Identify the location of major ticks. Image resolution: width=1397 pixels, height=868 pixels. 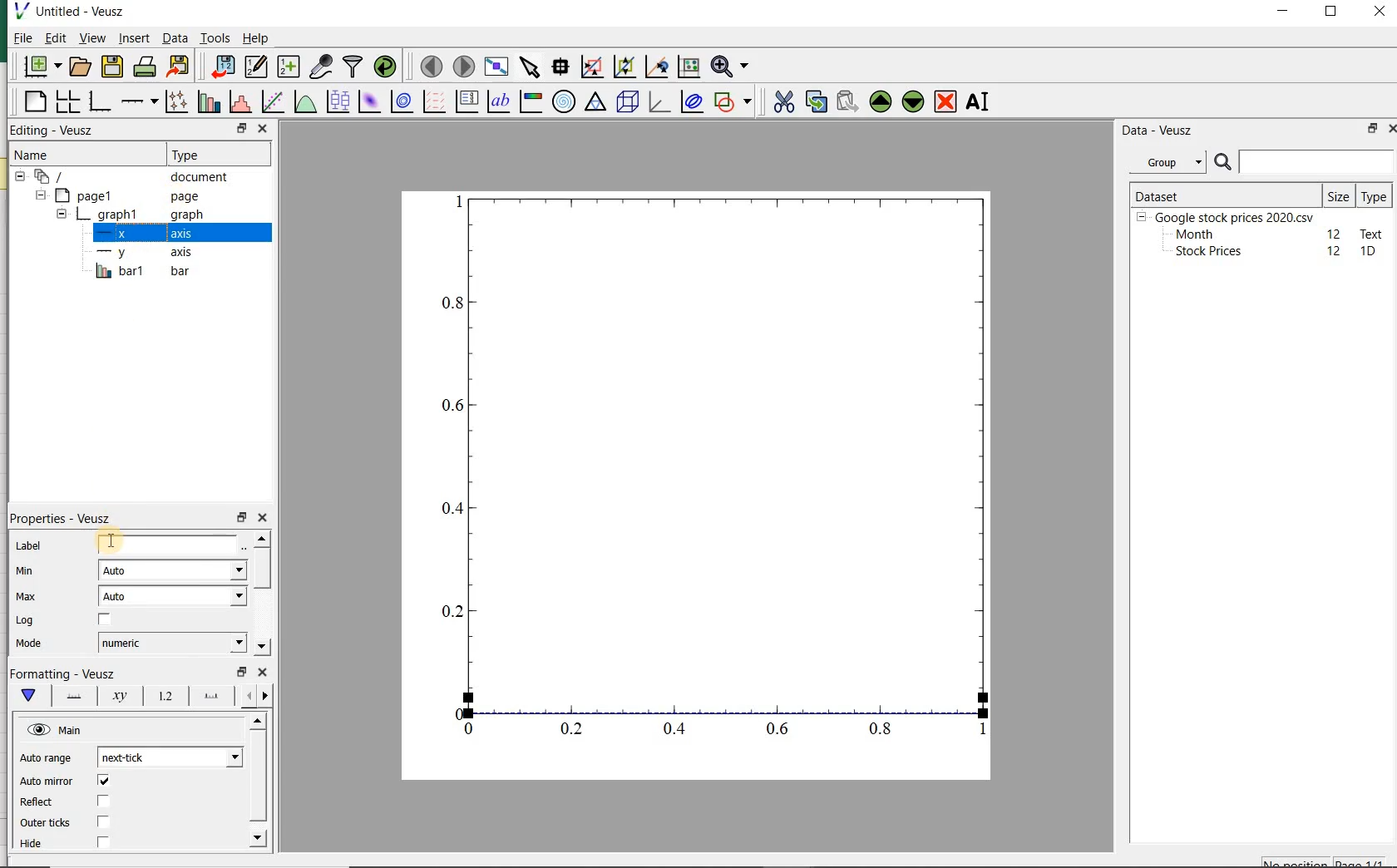
(209, 696).